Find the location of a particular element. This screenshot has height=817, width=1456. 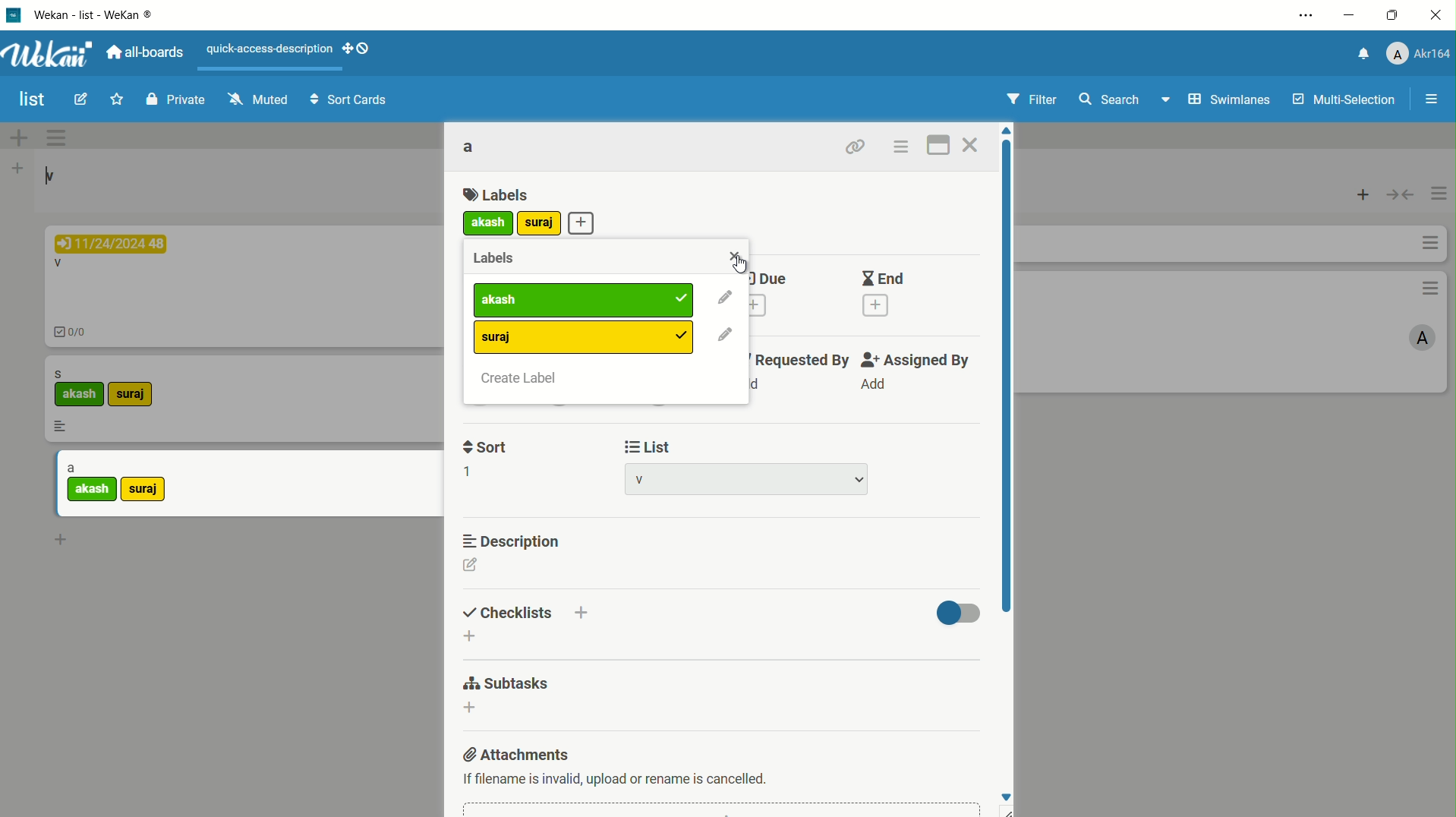

edit is located at coordinates (727, 296).